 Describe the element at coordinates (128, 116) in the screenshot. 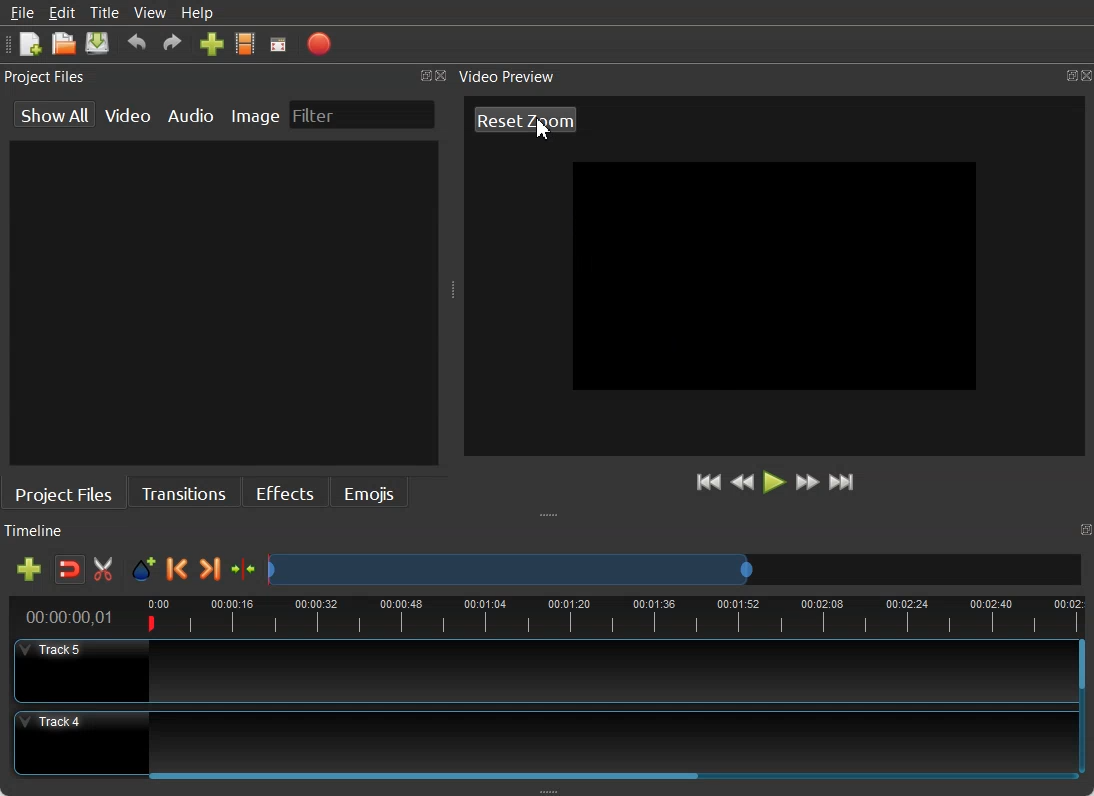

I see `Video` at that location.